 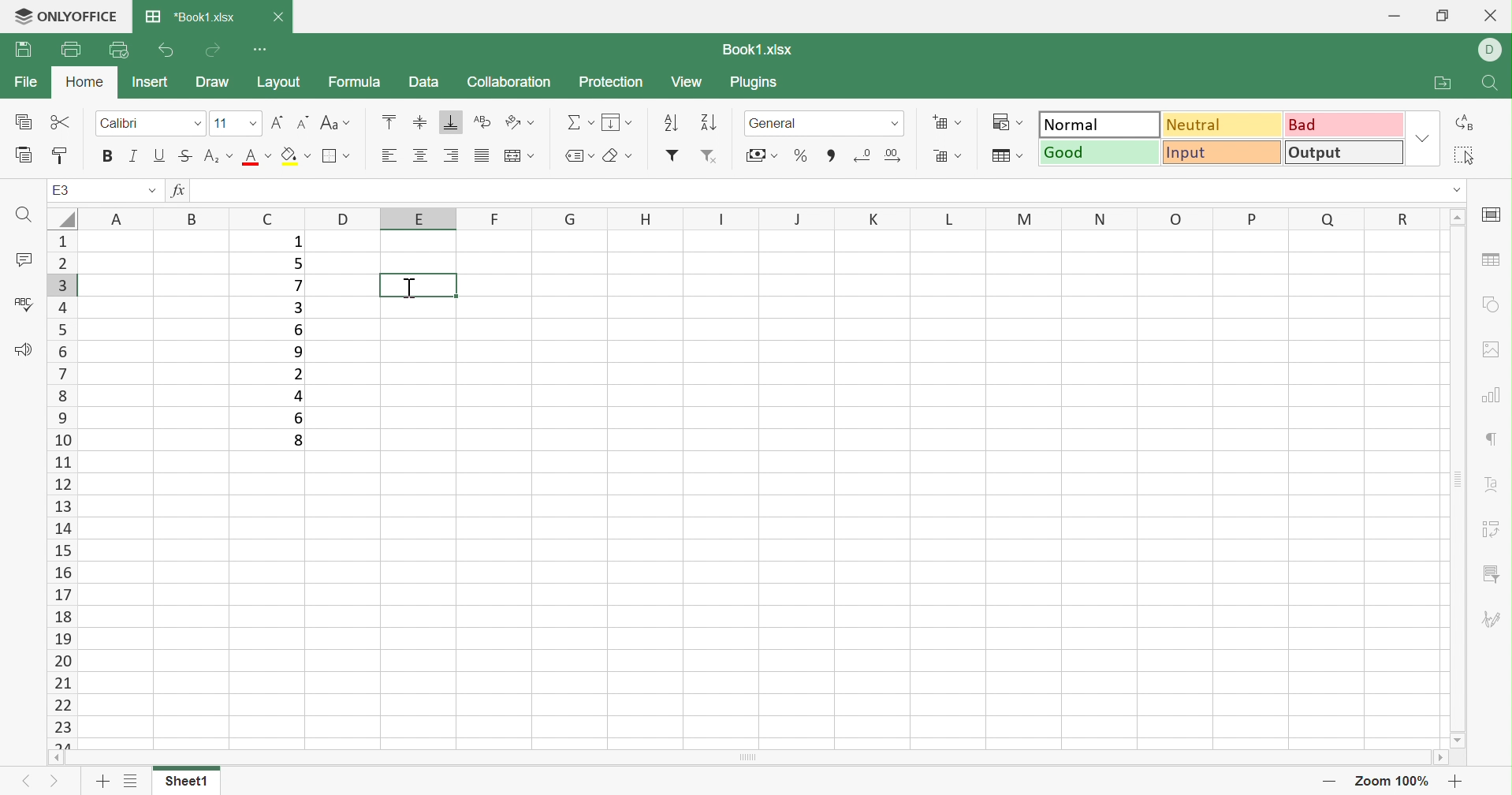 I want to click on Print, so click(x=20, y=52).